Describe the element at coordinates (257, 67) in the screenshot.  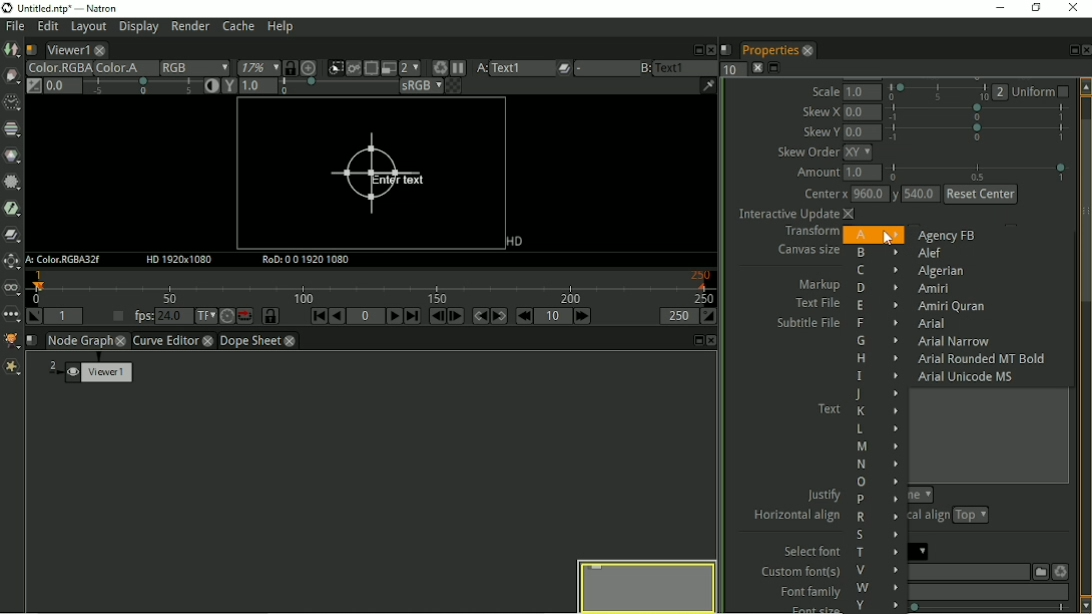
I see `17%` at that location.